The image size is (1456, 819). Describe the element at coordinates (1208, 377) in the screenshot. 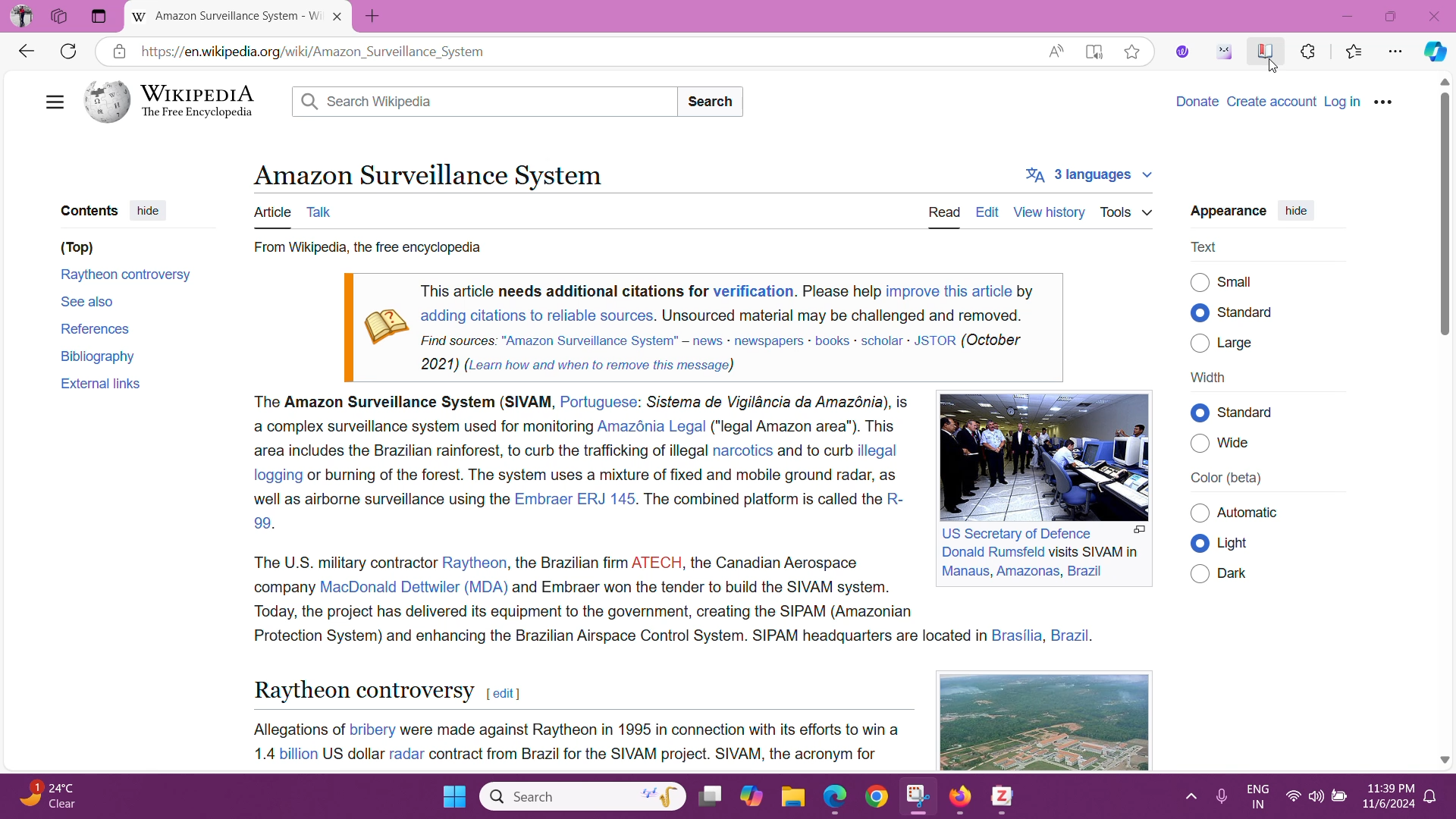

I see `| Width` at that location.